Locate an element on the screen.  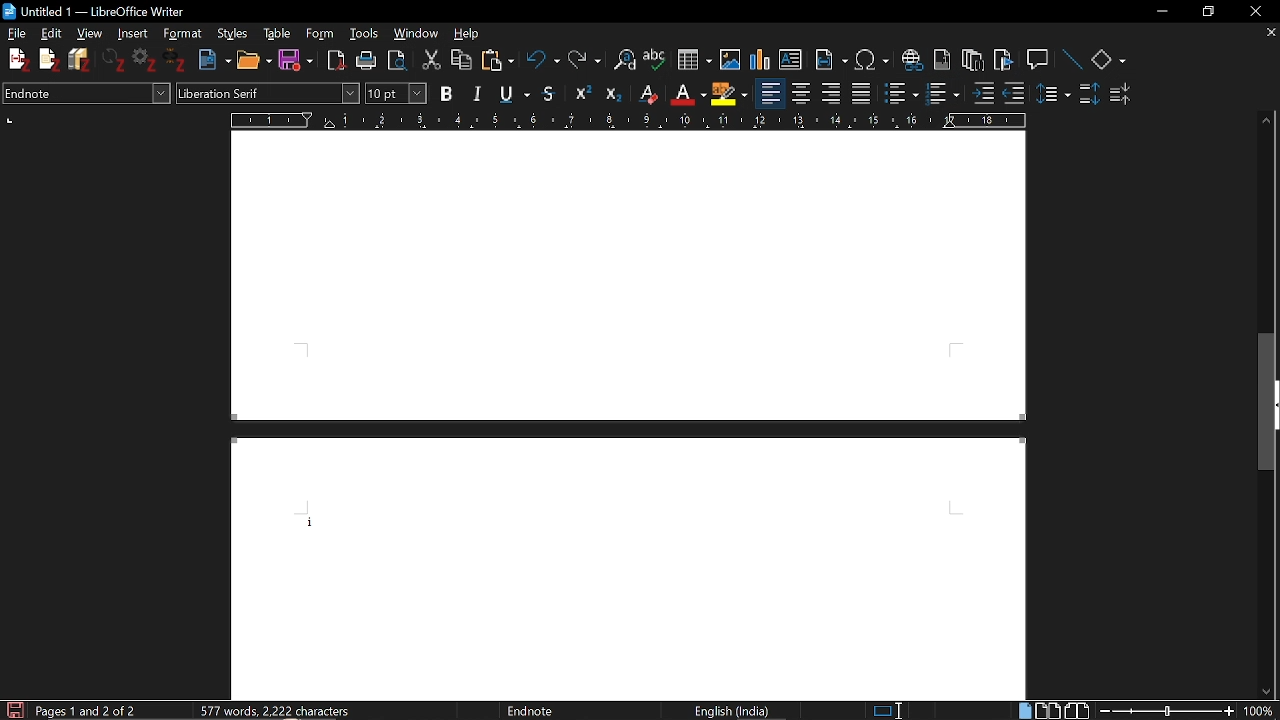
Insert is located at coordinates (130, 33).